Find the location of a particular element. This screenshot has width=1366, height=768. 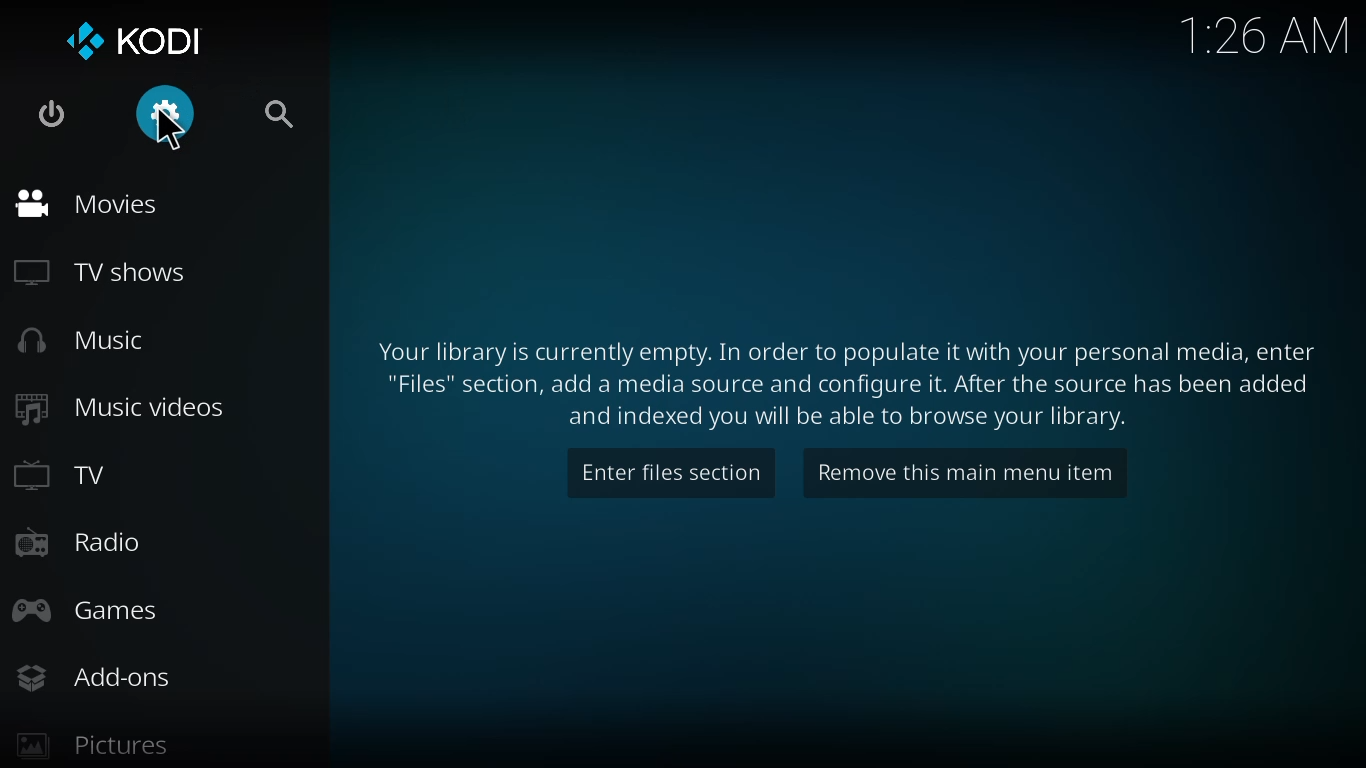

tv shows is located at coordinates (103, 274).